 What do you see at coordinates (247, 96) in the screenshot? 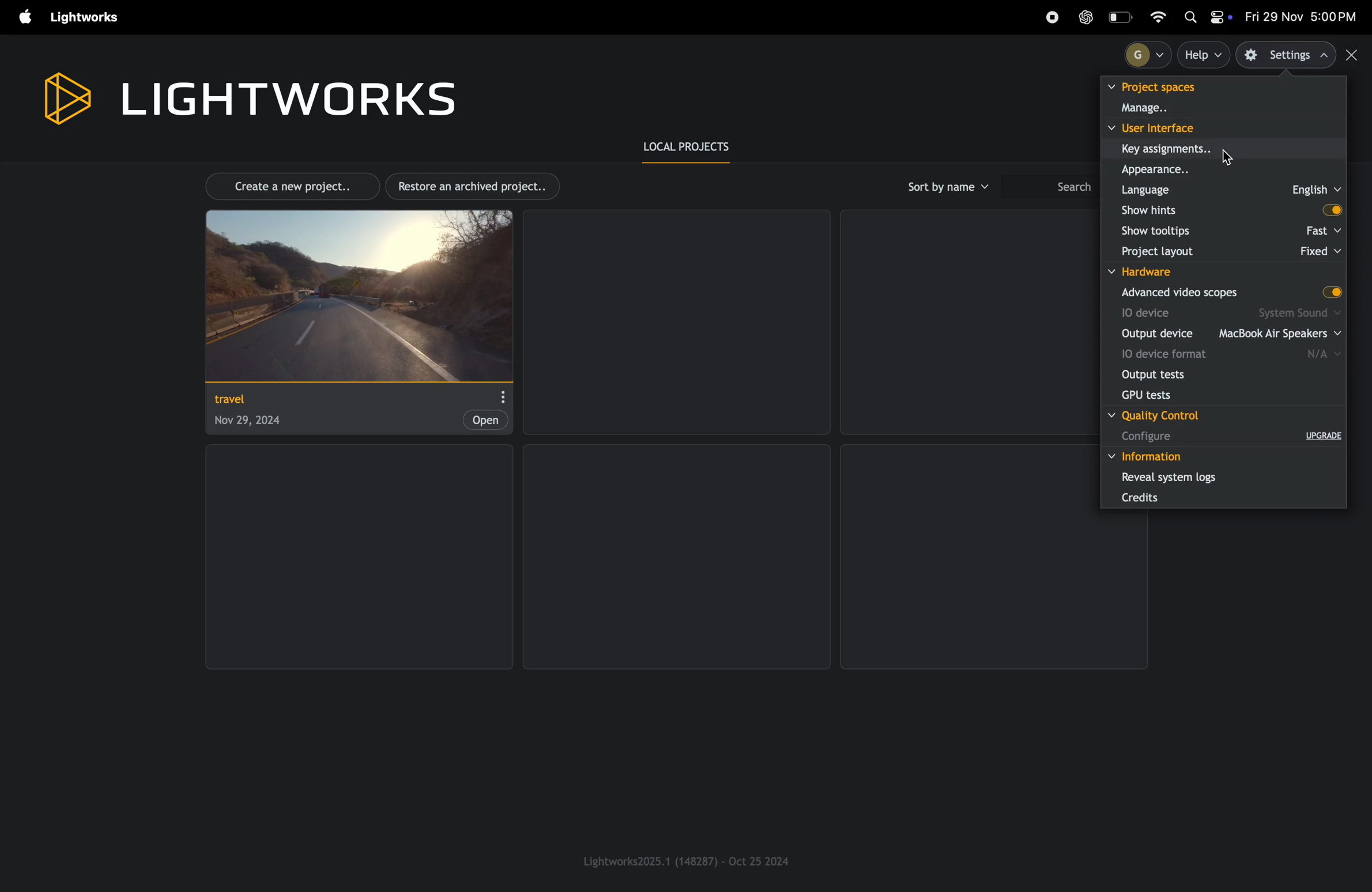
I see `light works` at bounding box center [247, 96].